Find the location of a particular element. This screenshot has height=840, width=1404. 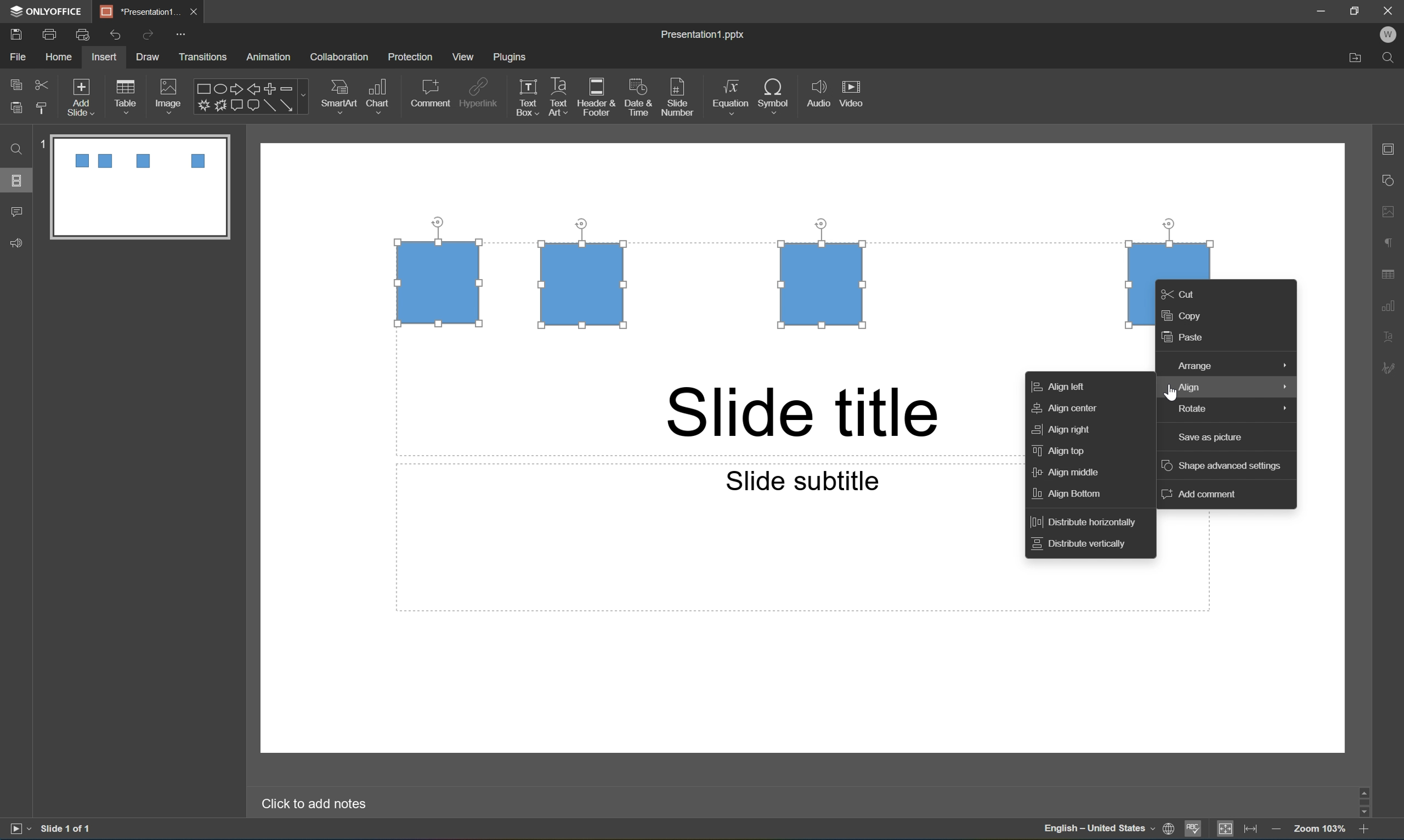

feedback & support is located at coordinates (15, 243).